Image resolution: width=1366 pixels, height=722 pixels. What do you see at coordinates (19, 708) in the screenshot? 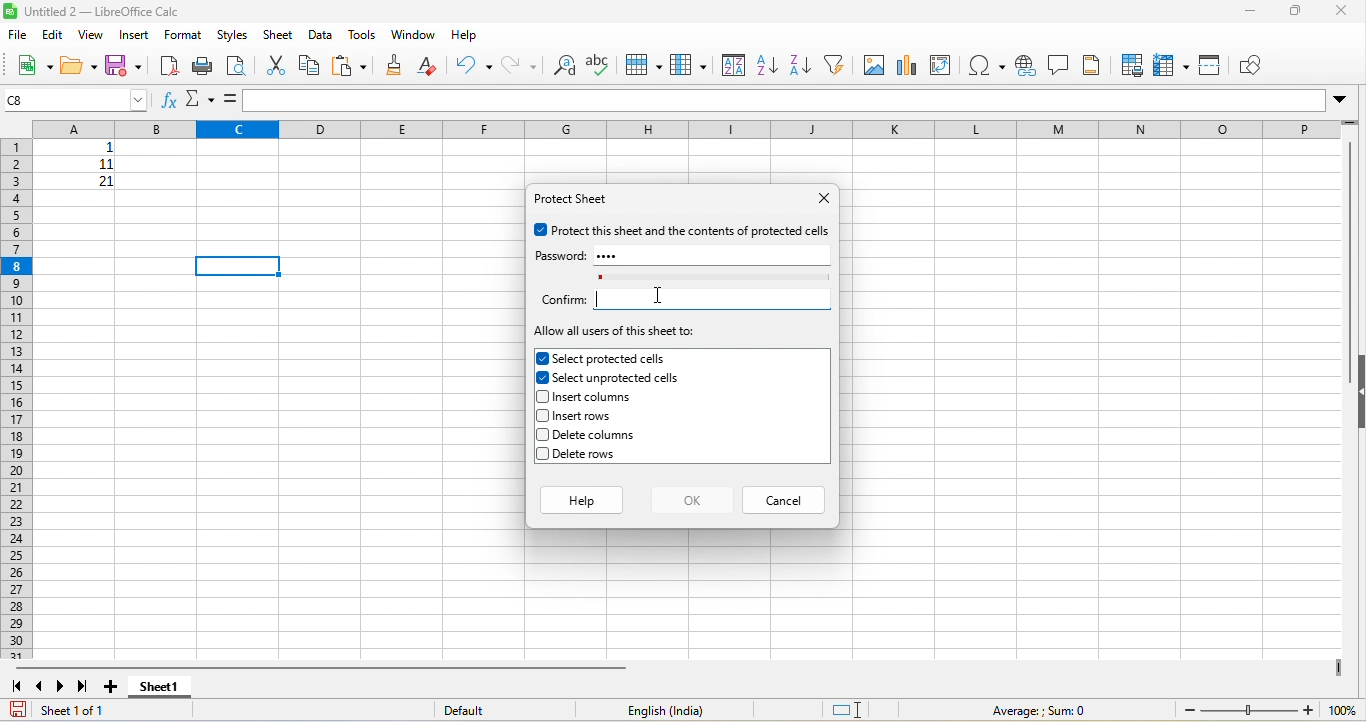
I see `save` at bounding box center [19, 708].